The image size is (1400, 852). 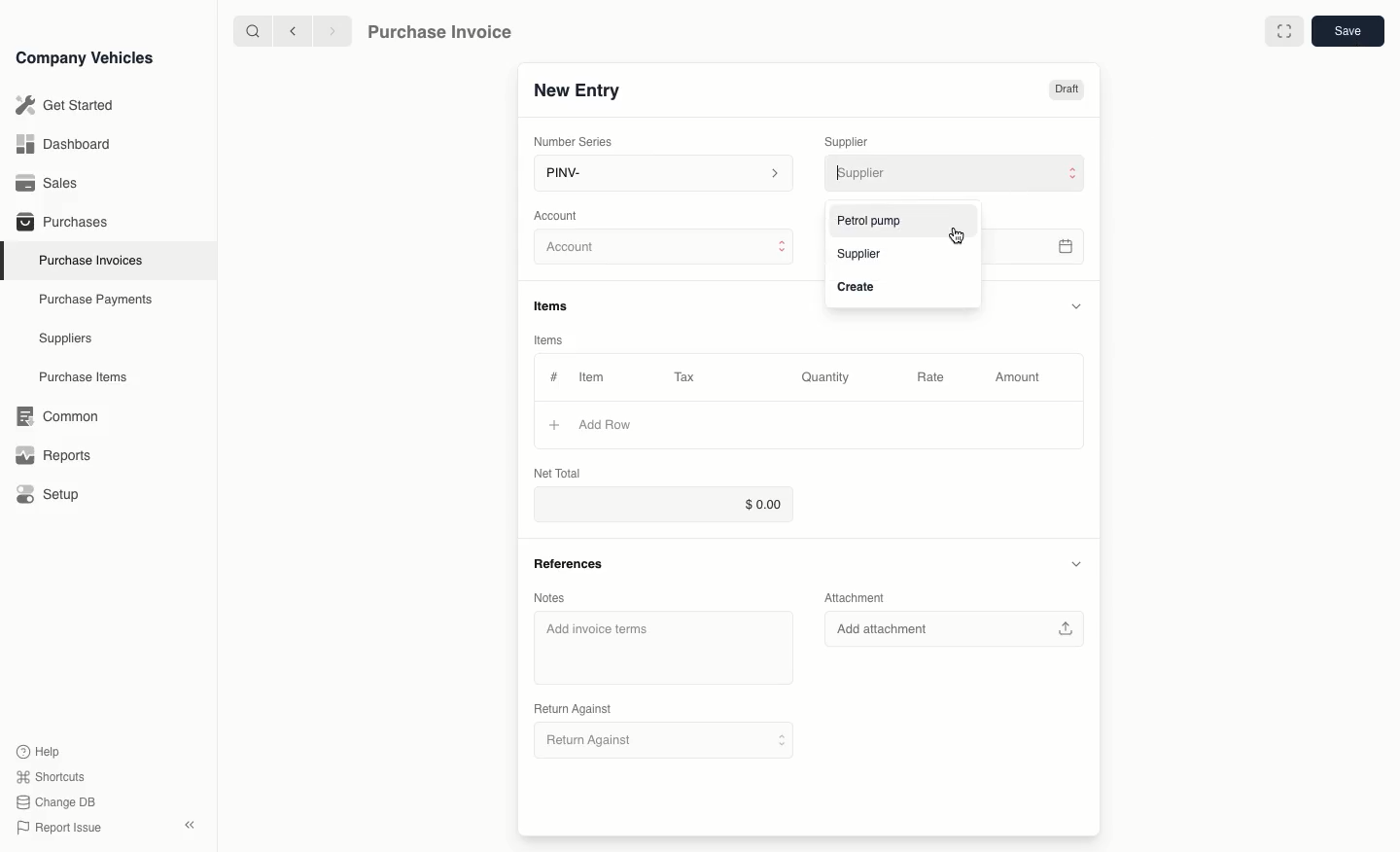 What do you see at coordinates (53, 455) in the screenshot?
I see `Reports` at bounding box center [53, 455].